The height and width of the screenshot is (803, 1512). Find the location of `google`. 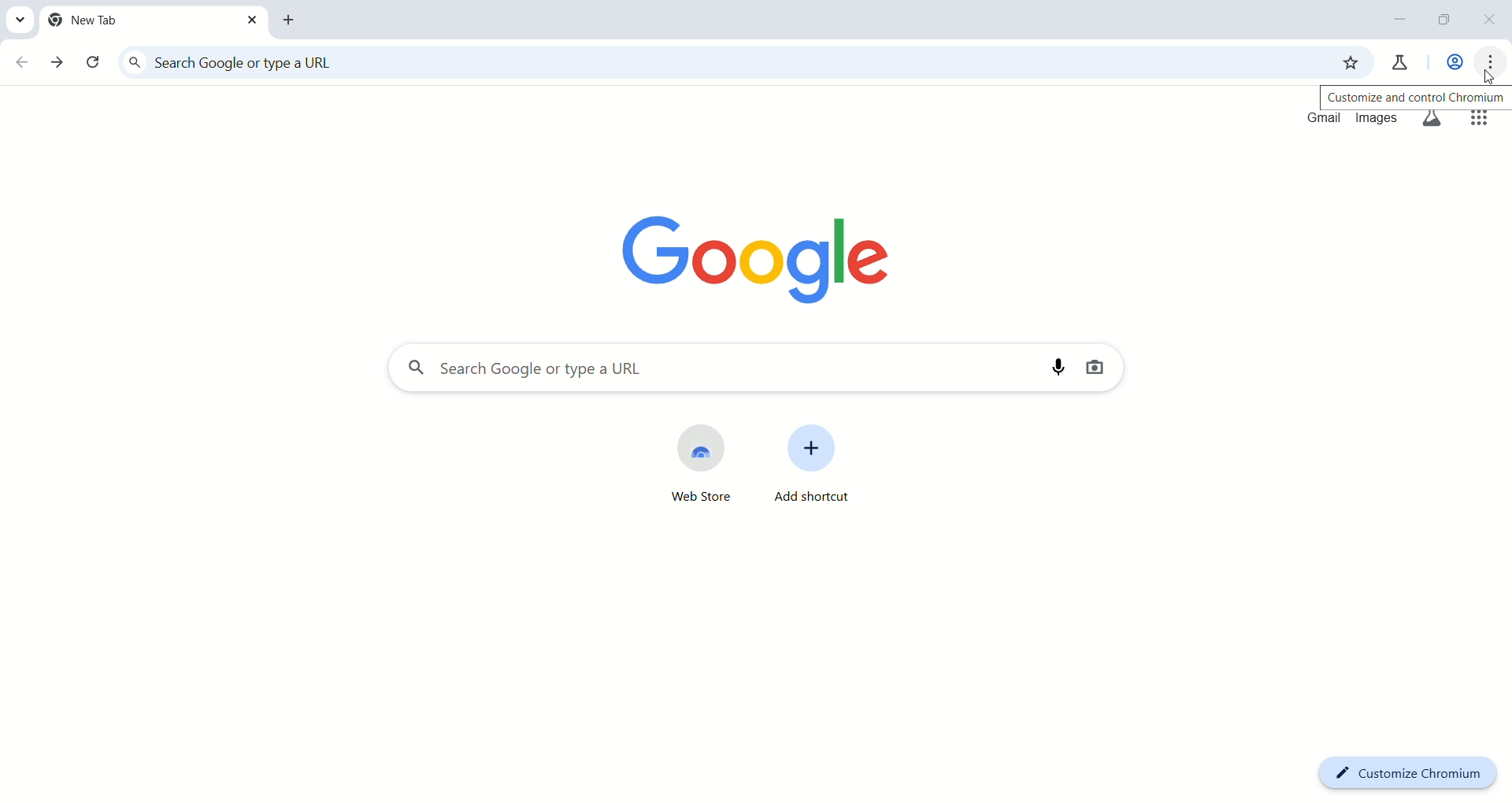

google is located at coordinates (766, 254).